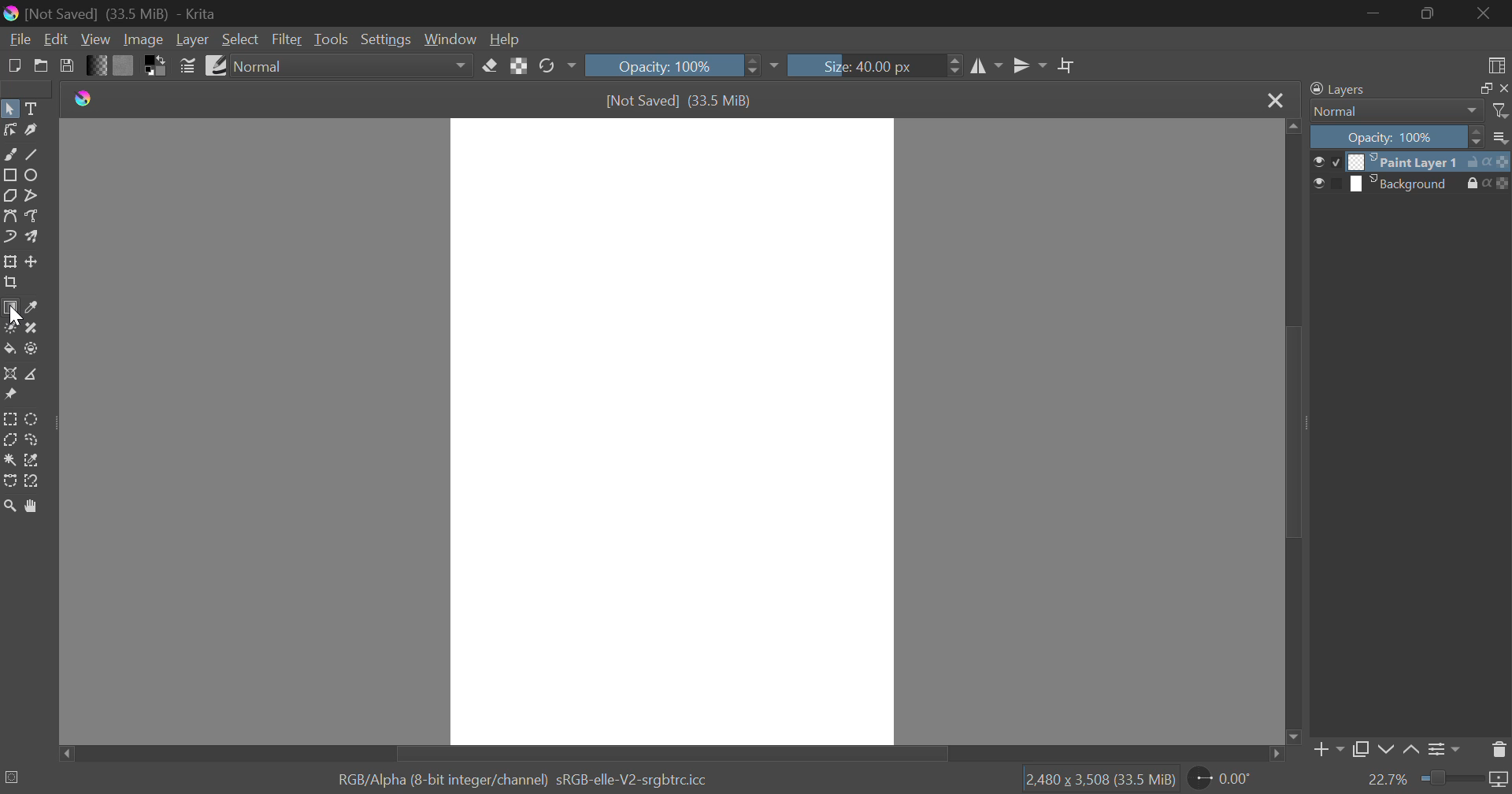 The width and height of the screenshot is (1512, 794). I want to click on full screen, so click(1481, 89).